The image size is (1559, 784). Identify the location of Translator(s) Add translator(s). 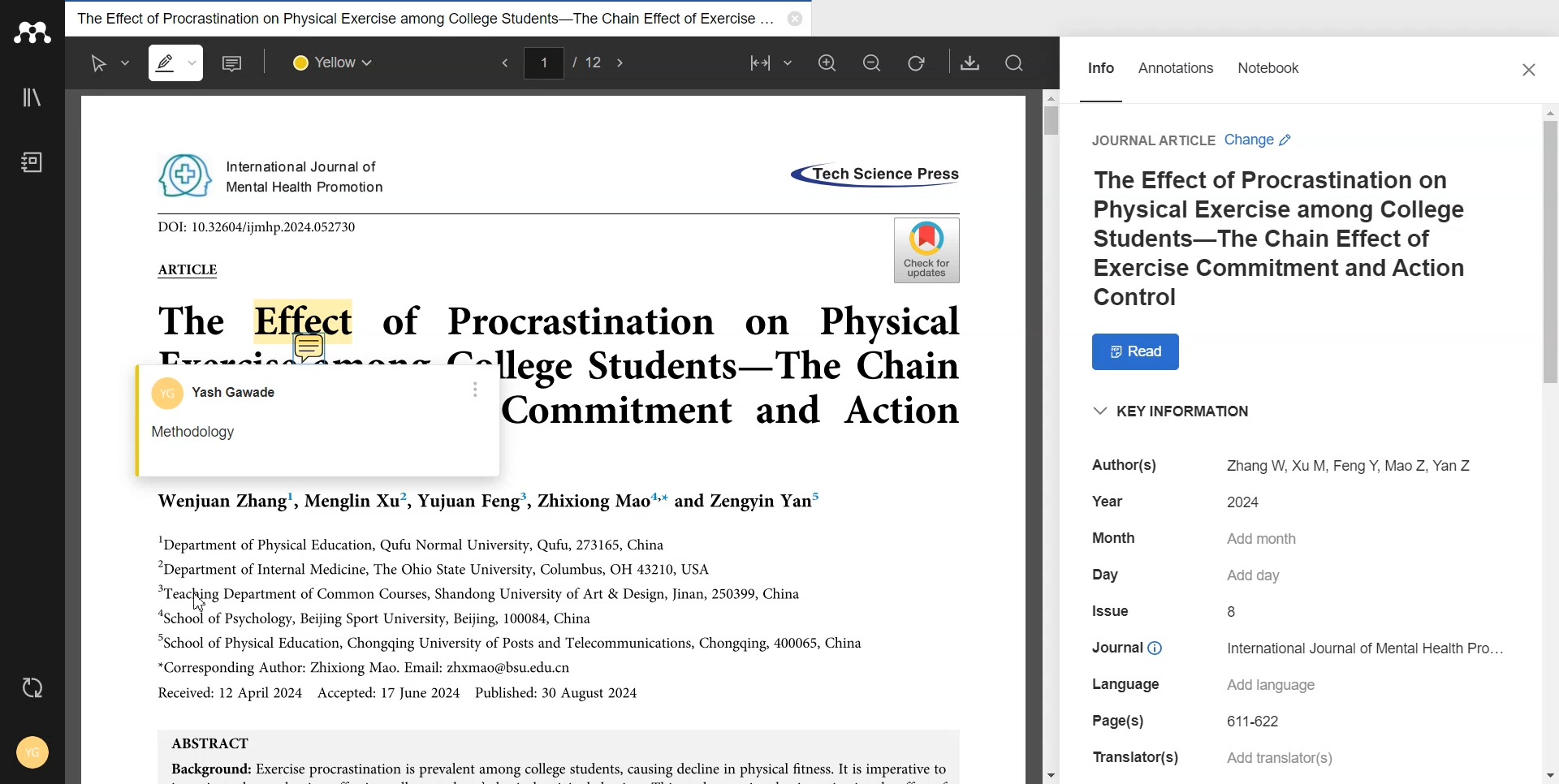
(1212, 758).